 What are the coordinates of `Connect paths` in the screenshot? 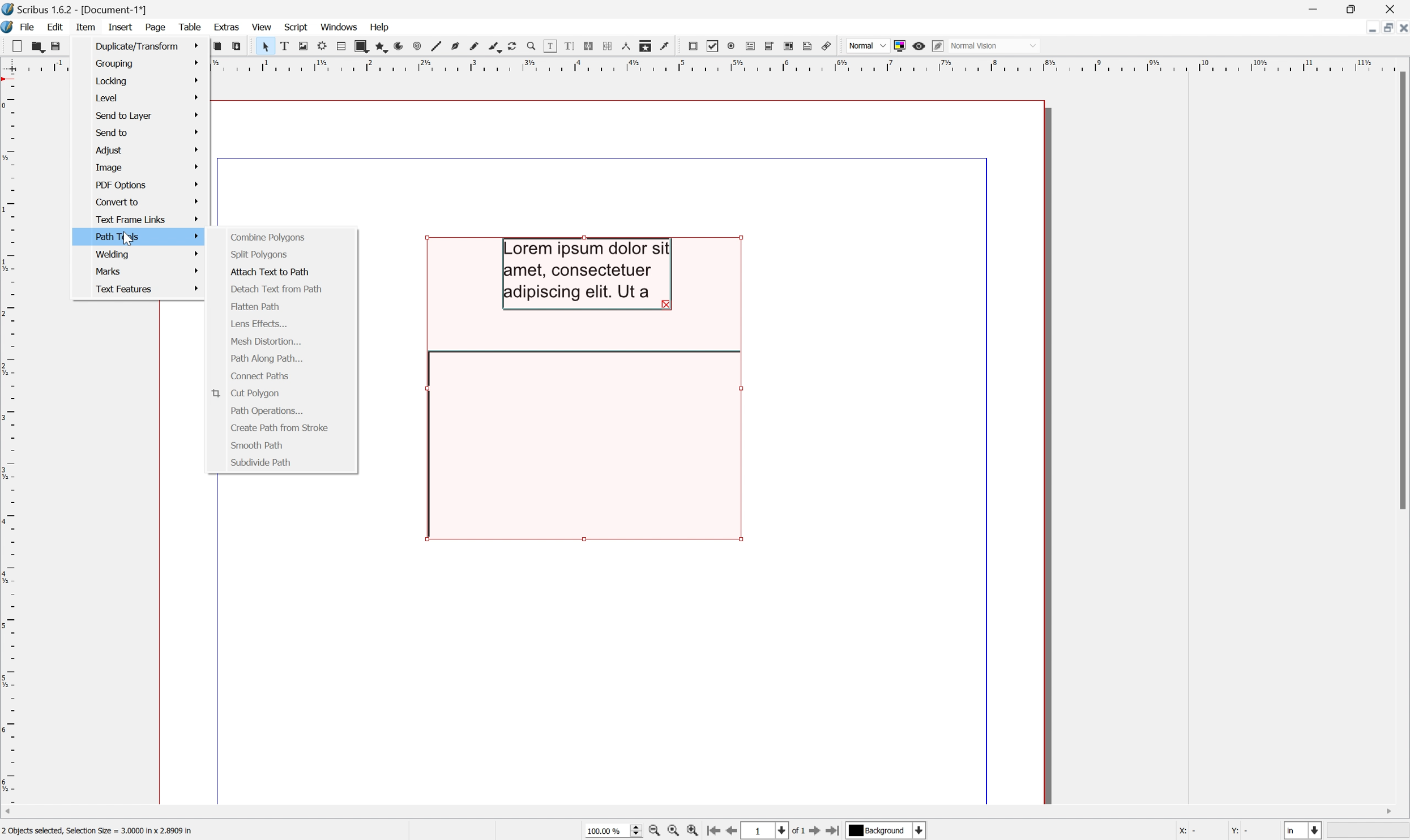 It's located at (260, 376).